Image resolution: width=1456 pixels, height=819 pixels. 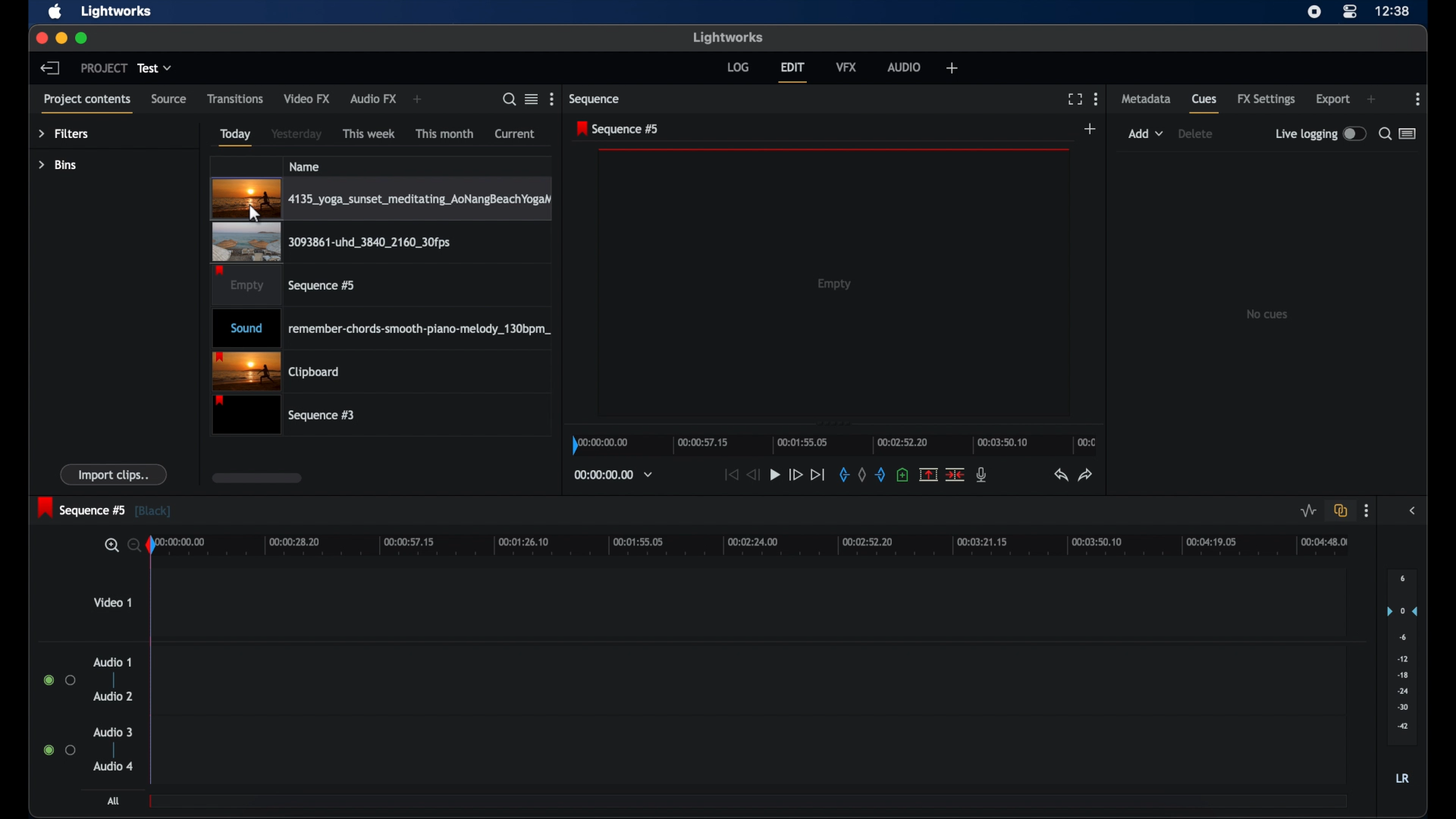 What do you see at coordinates (111, 767) in the screenshot?
I see `audio 4` at bounding box center [111, 767].